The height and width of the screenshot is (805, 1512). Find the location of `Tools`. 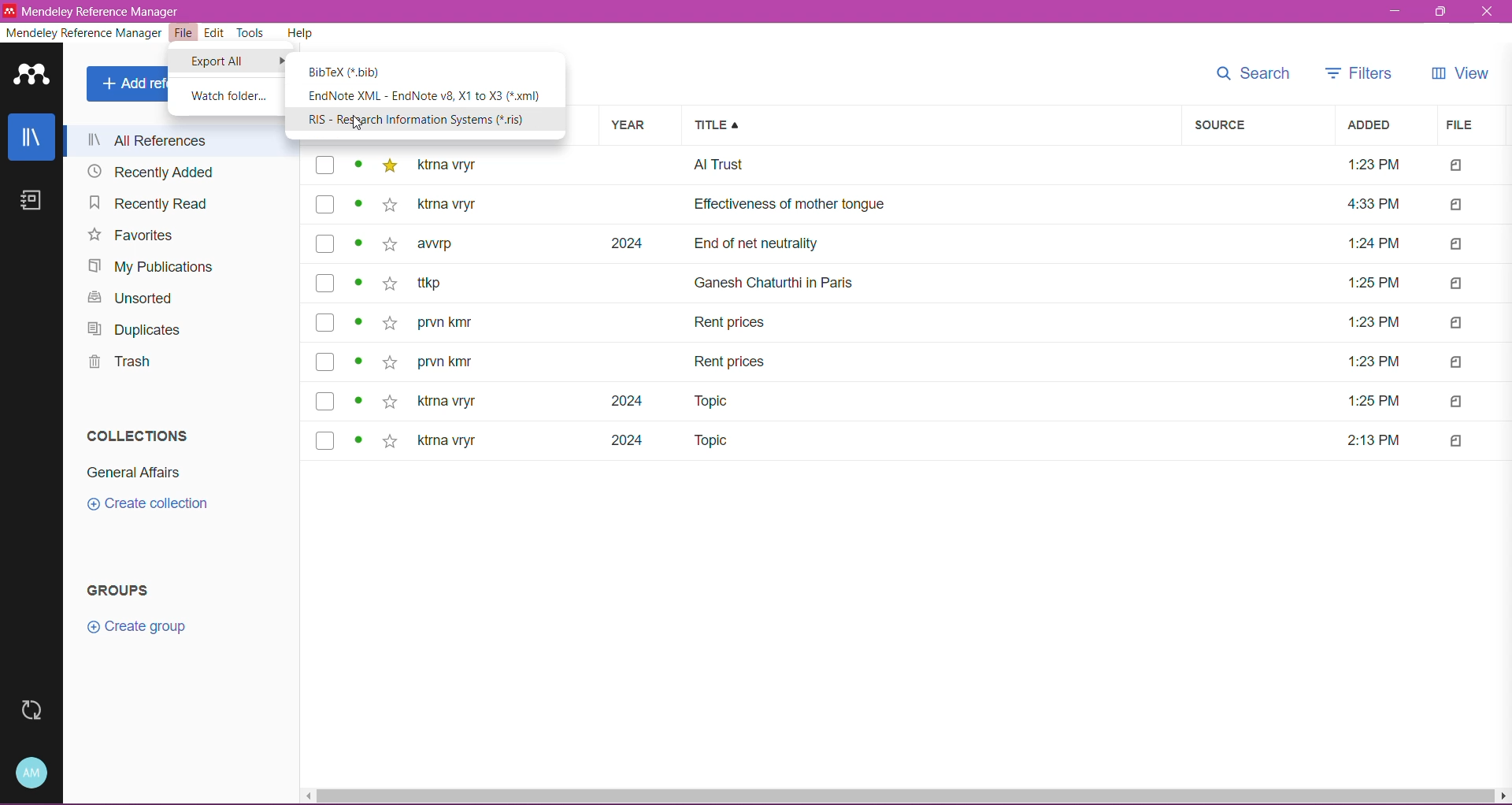

Tools is located at coordinates (251, 34).